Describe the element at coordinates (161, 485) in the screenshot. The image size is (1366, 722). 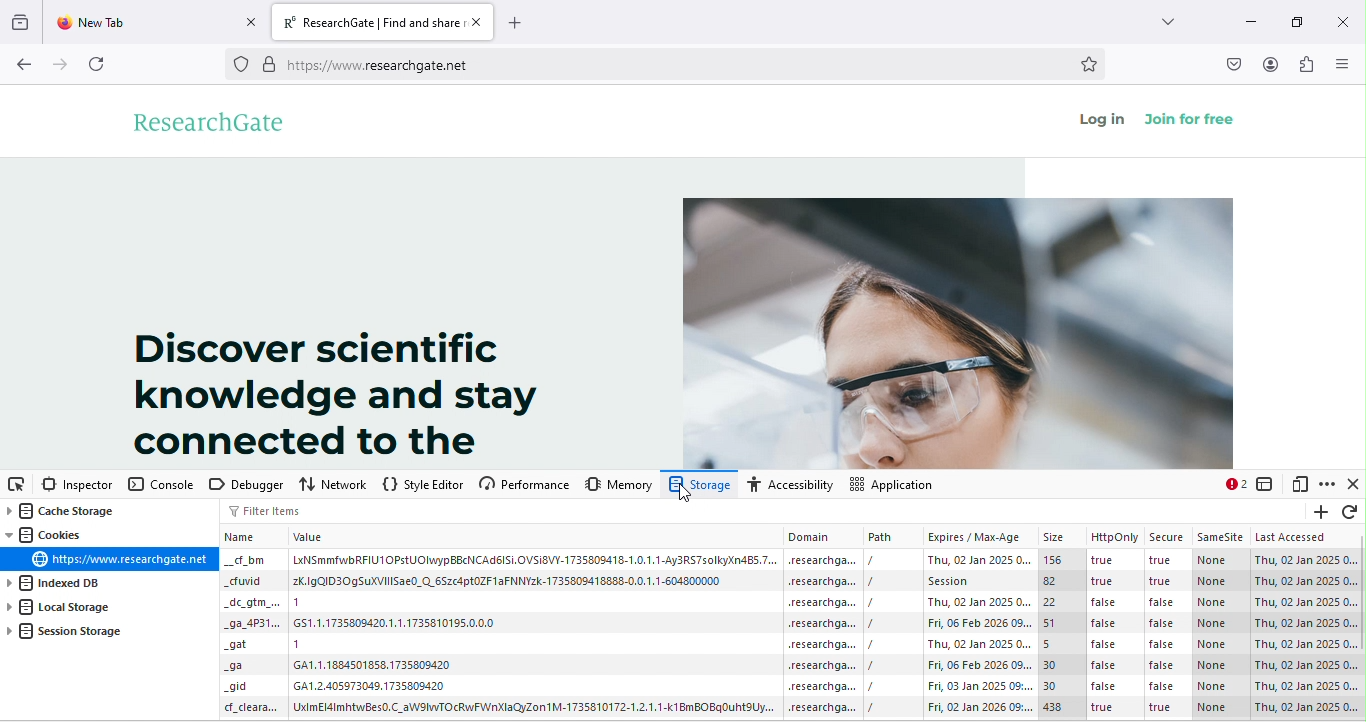
I see `console` at that location.